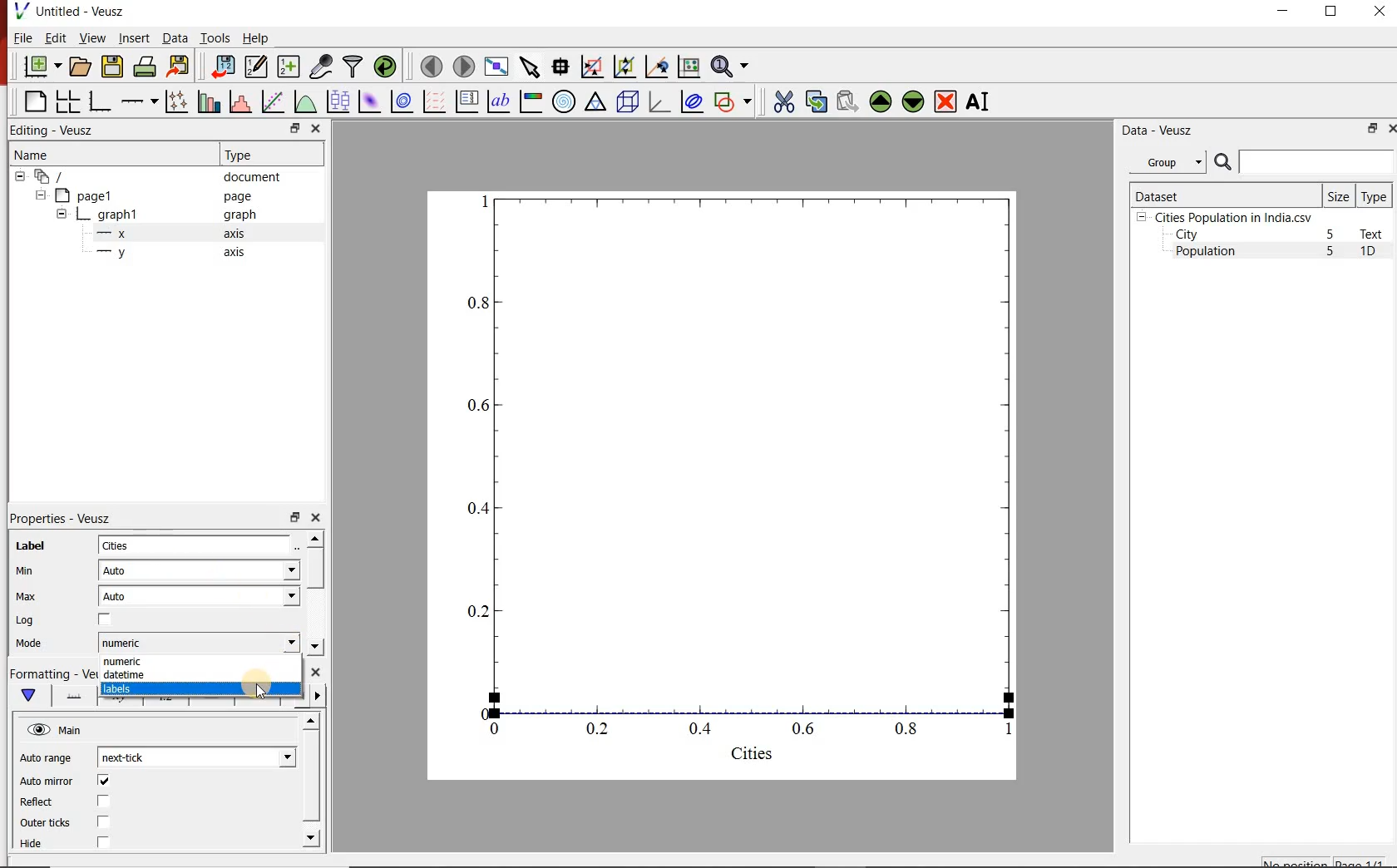 The image size is (1397, 868). What do you see at coordinates (1375, 253) in the screenshot?
I see `1D` at bounding box center [1375, 253].